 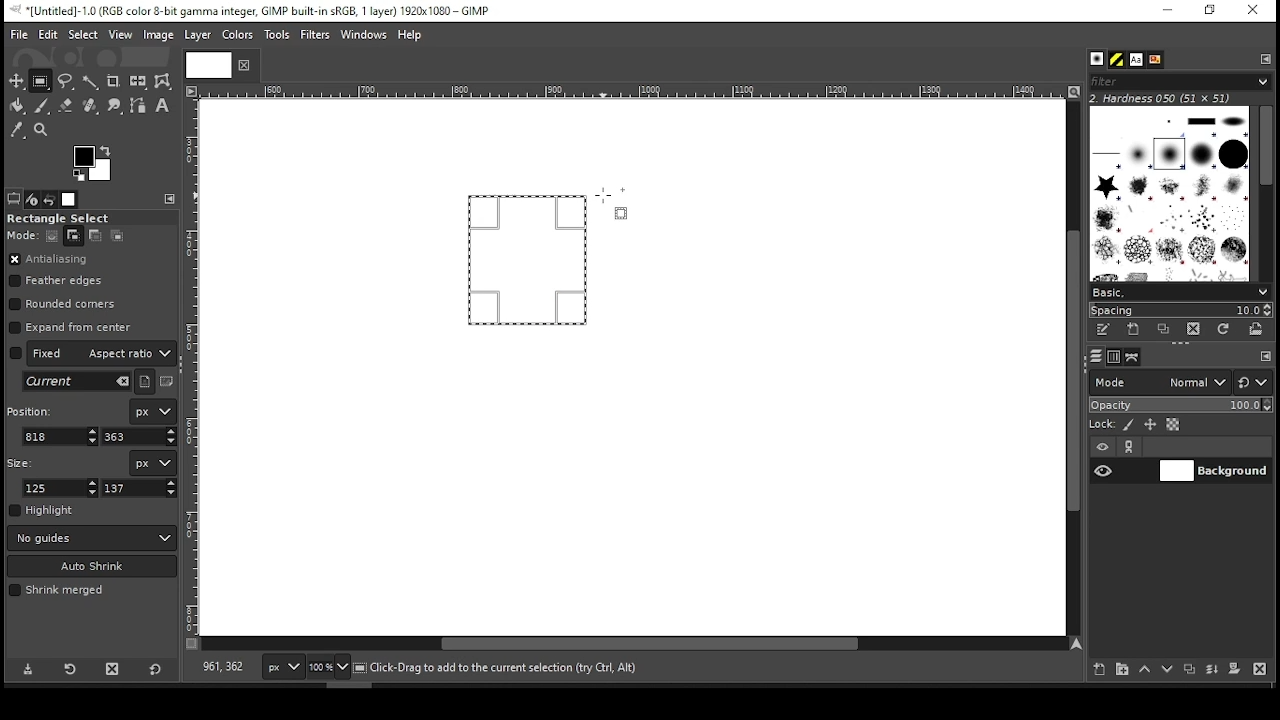 What do you see at coordinates (70, 200) in the screenshot?
I see `images` at bounding box center [70, 200].